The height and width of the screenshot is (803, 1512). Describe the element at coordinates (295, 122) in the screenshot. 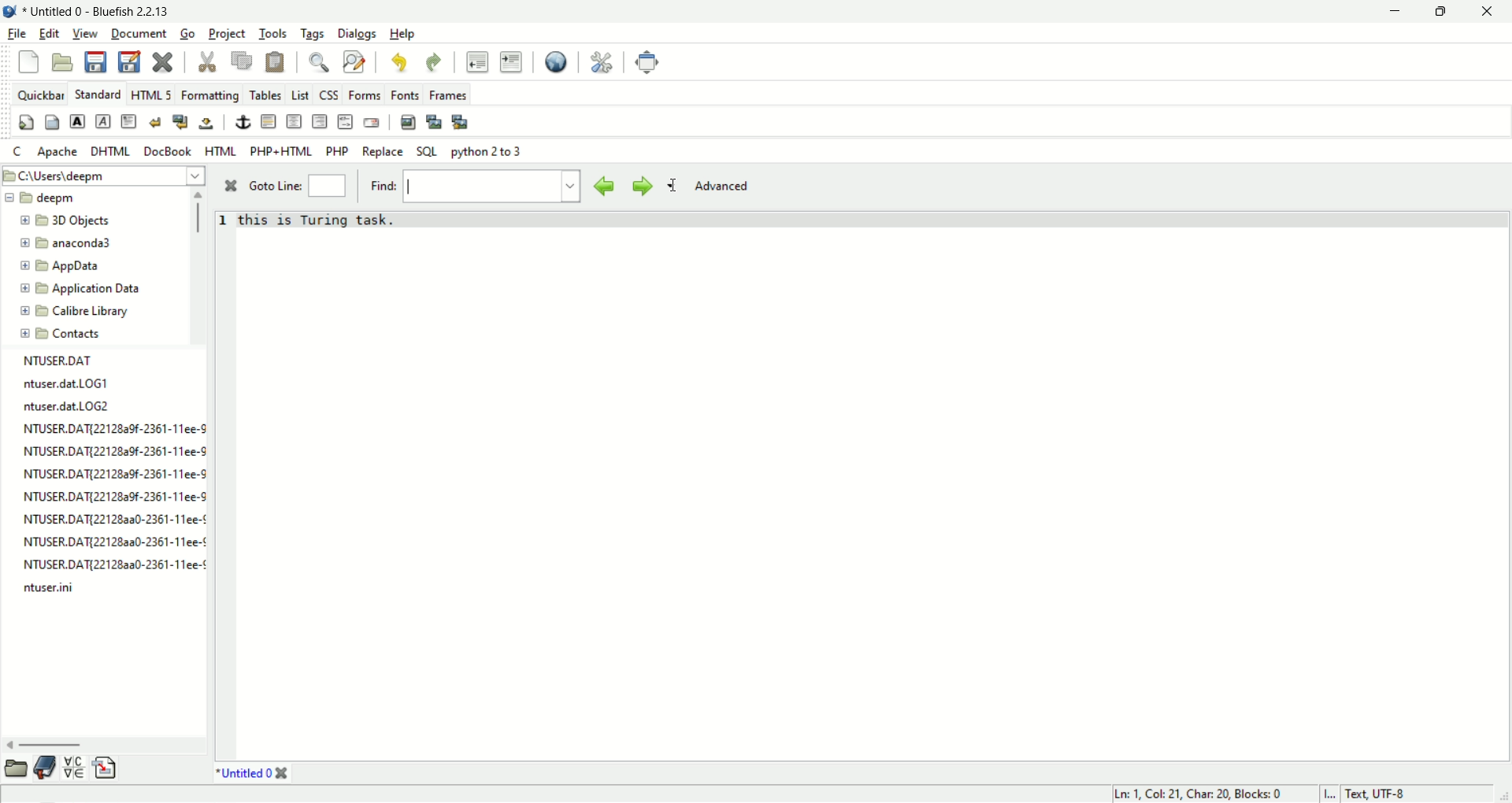

I see `center` at that location.